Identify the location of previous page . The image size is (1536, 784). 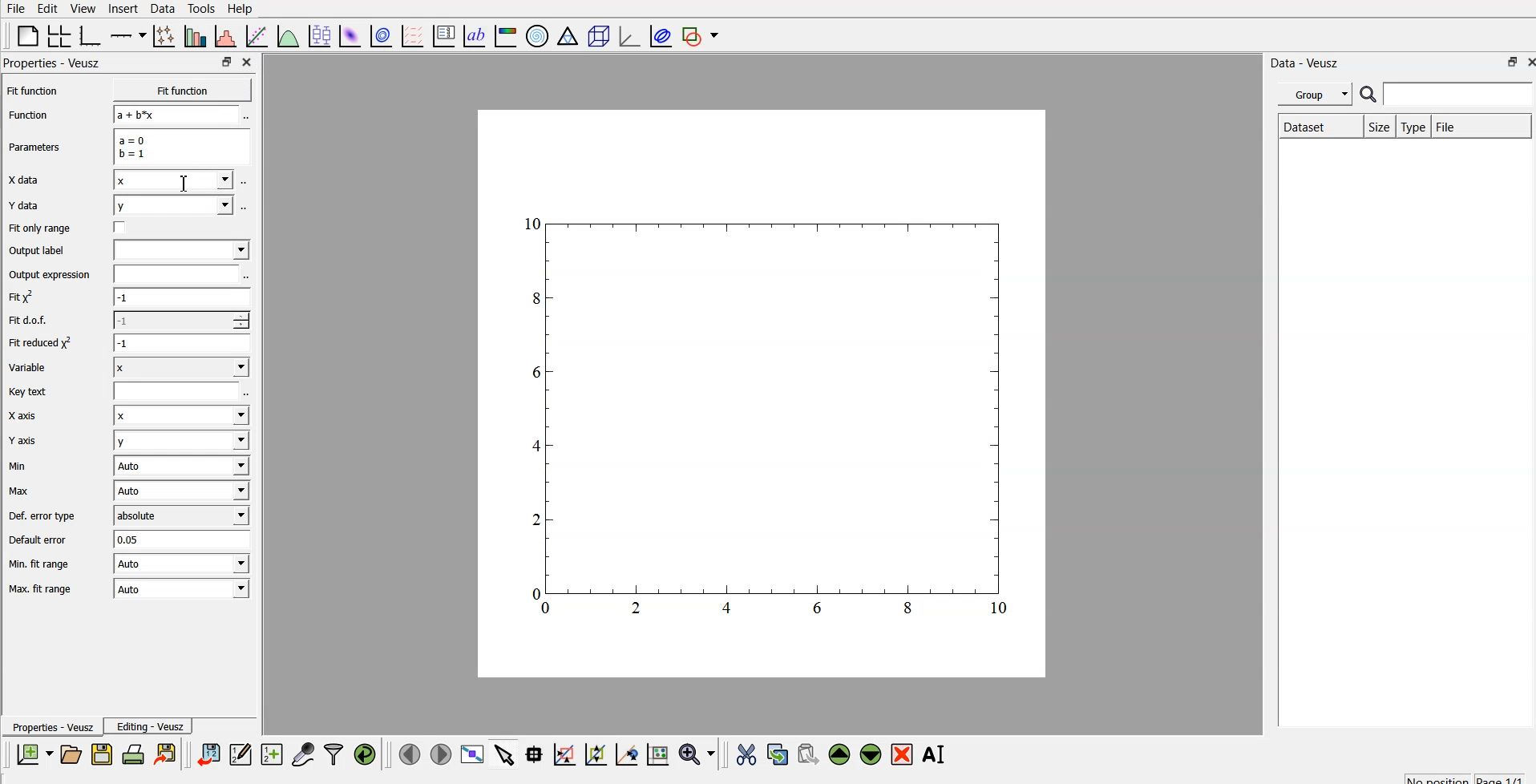
(409, 755).